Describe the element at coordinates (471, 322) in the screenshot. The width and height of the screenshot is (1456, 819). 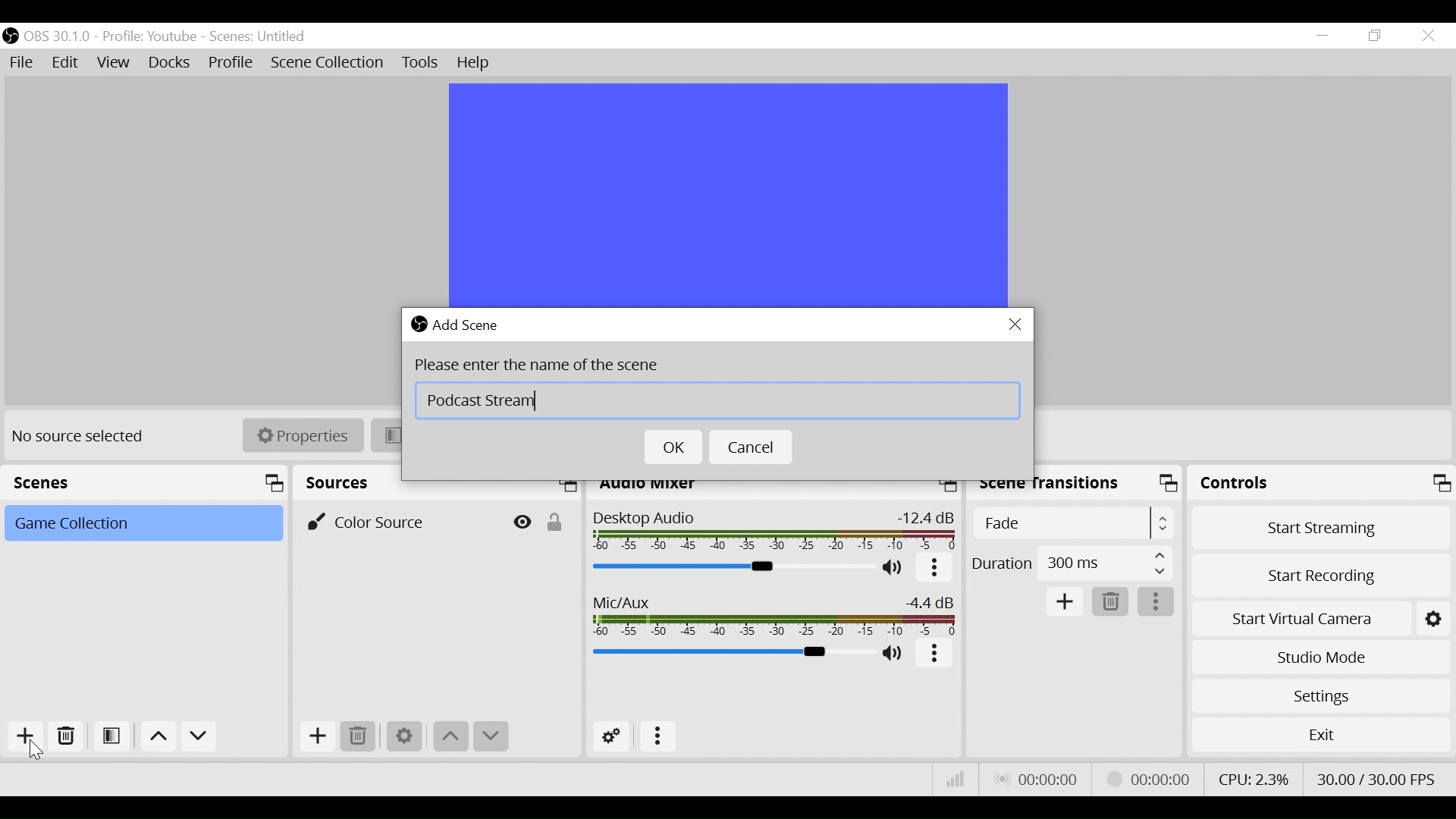
I see `Add Scene` at that location.